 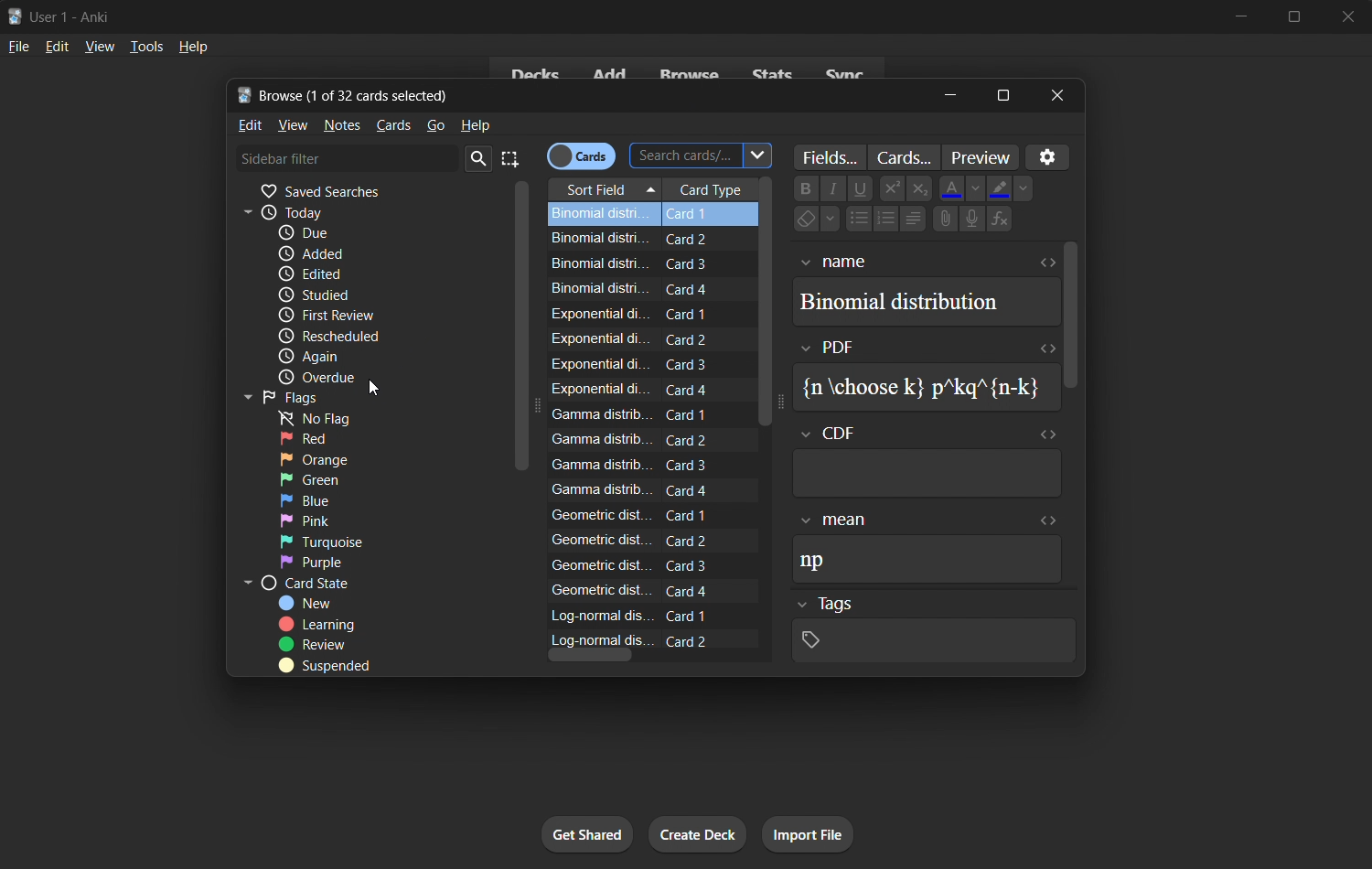 What do you see at coordinates (477, 159) in the screenshot?
I see `search` at bounding box center [477, 159].